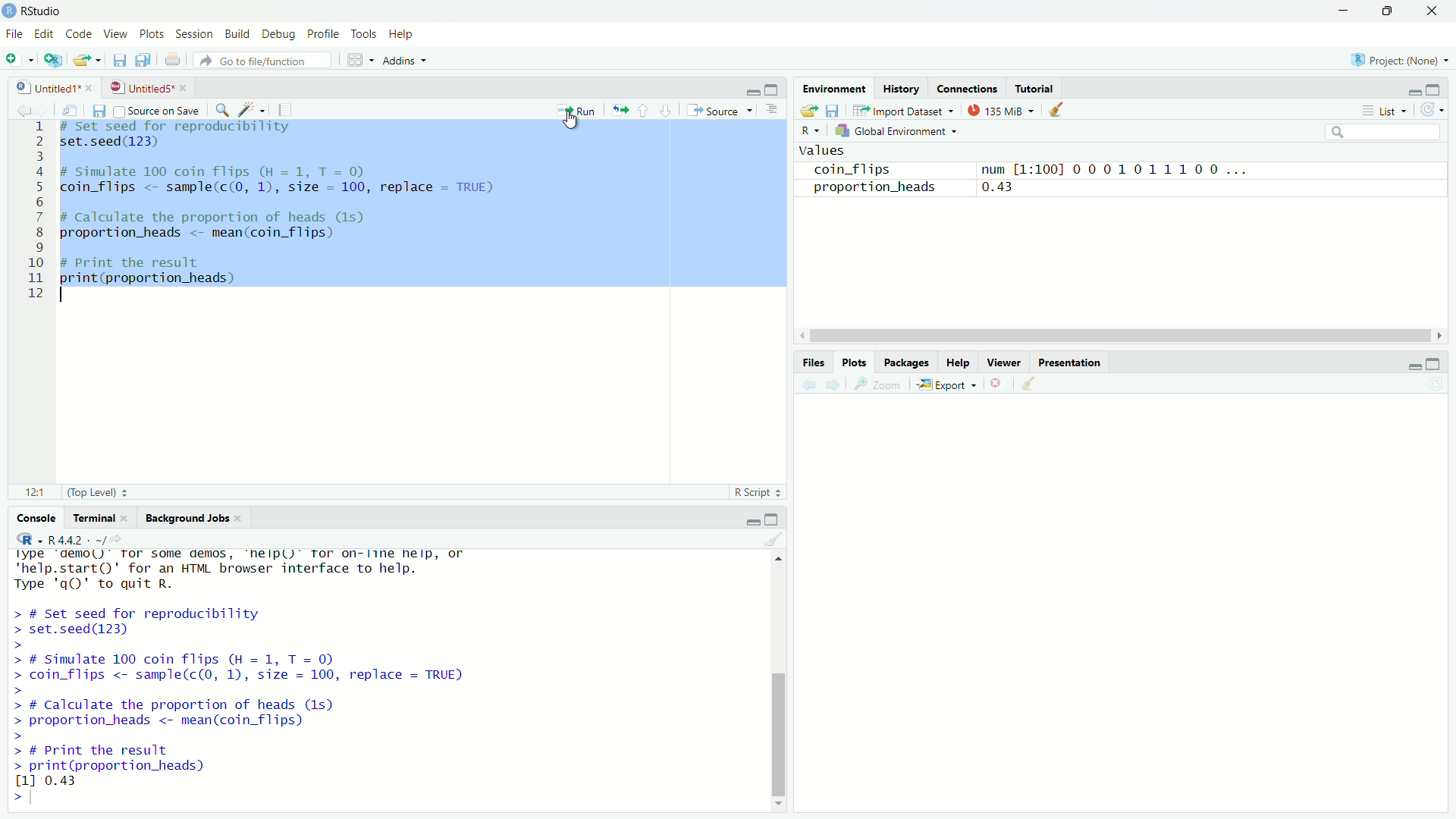  What do you see at coordinates (35, 215) in the screenshot?
I see `serial number` at bounding box center [35, 215].